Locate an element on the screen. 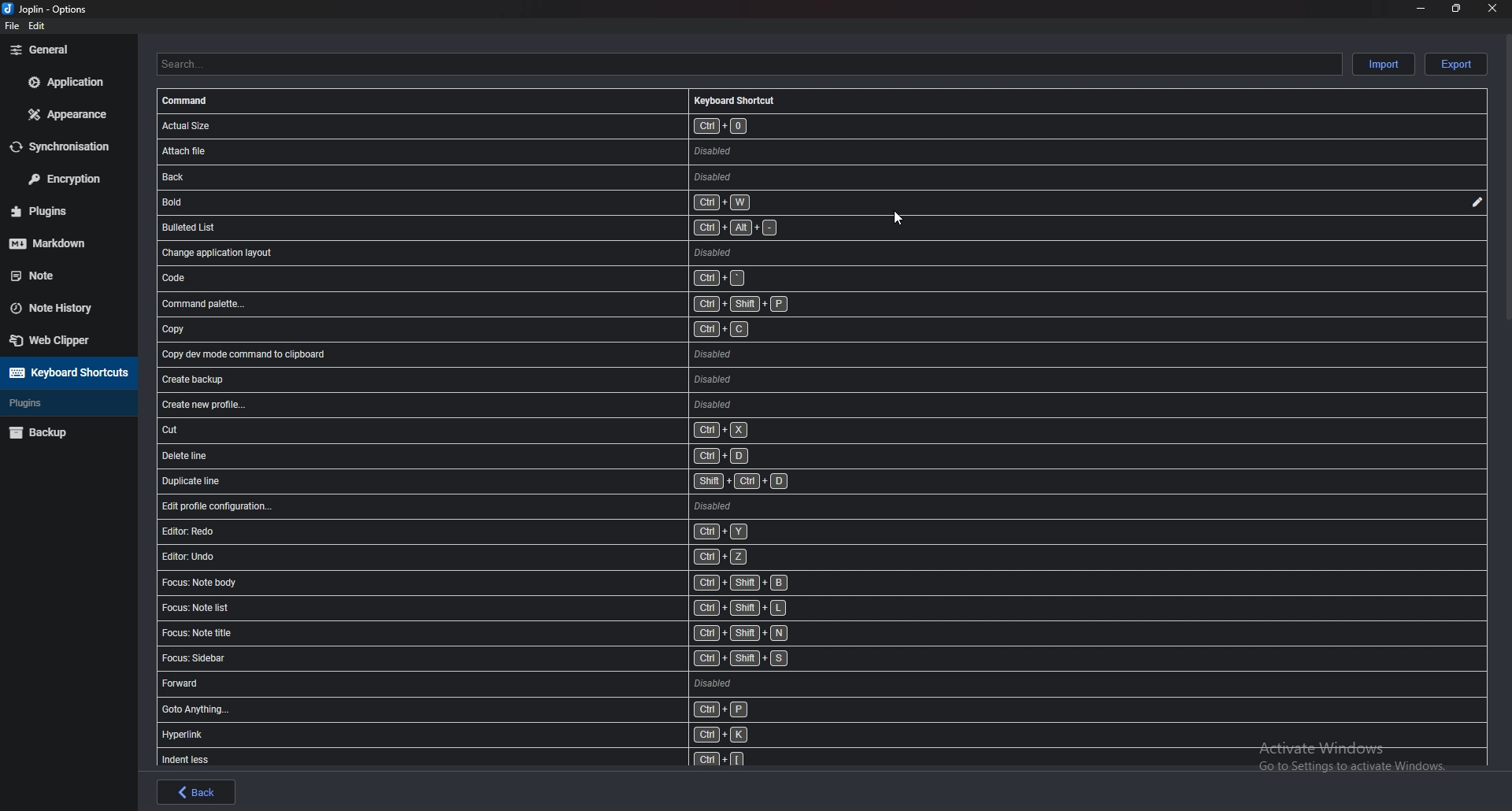  close is located at coordinates (1493, 7).